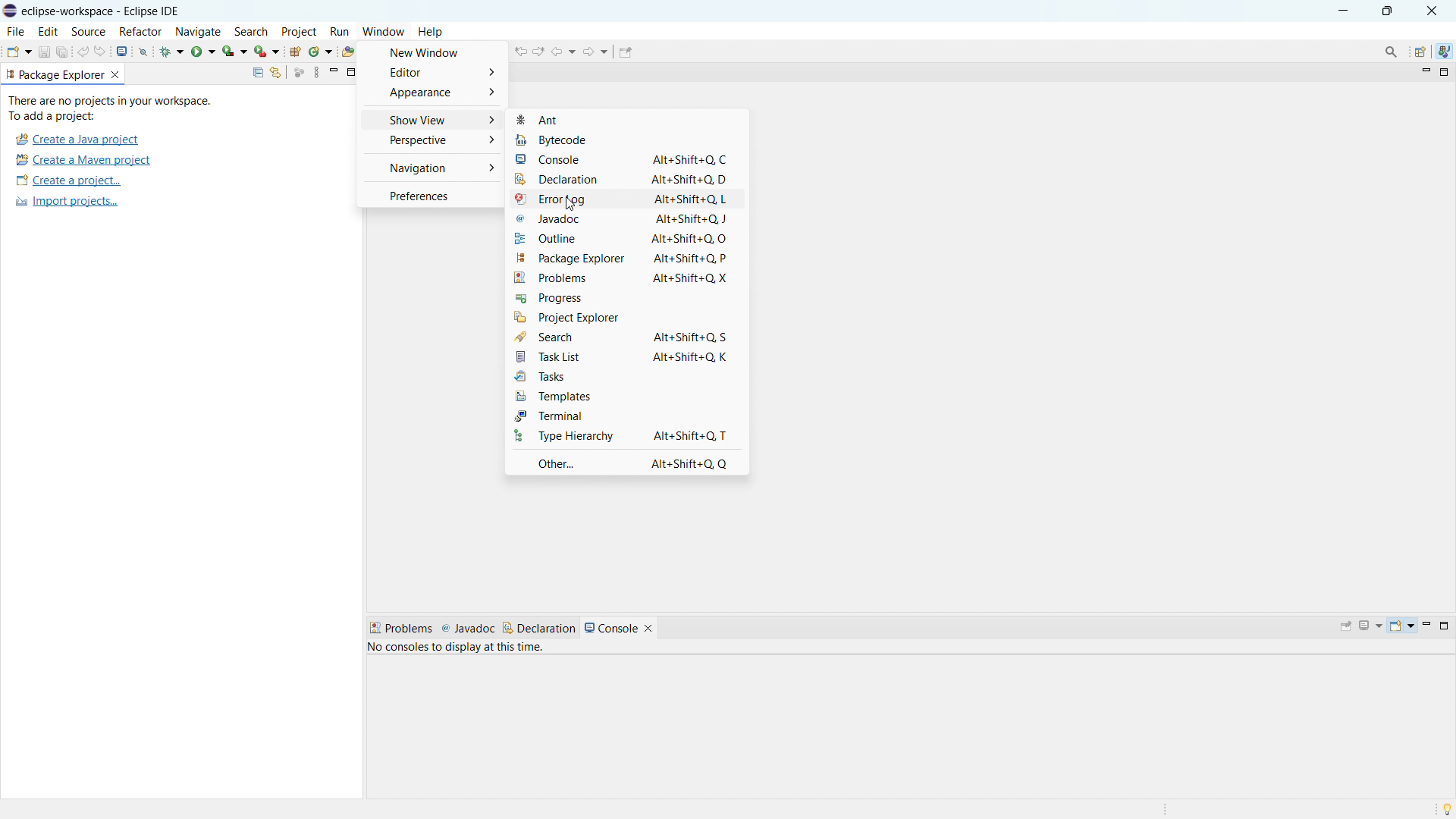  What do you see at coordinates (545, 119) in the screenshot?
I see `Ant` at bounding box center [545, 119].